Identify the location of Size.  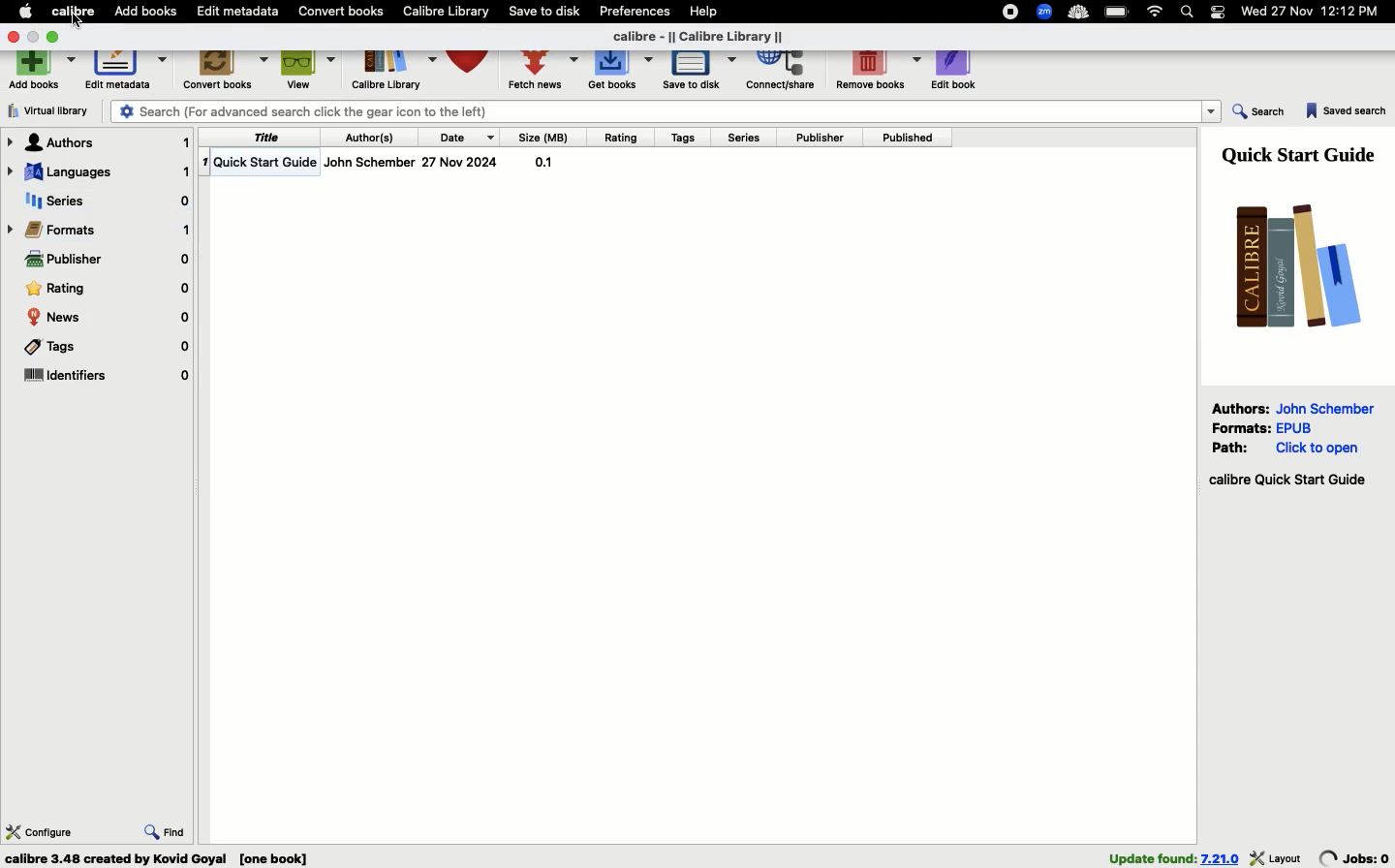
(545, 137).